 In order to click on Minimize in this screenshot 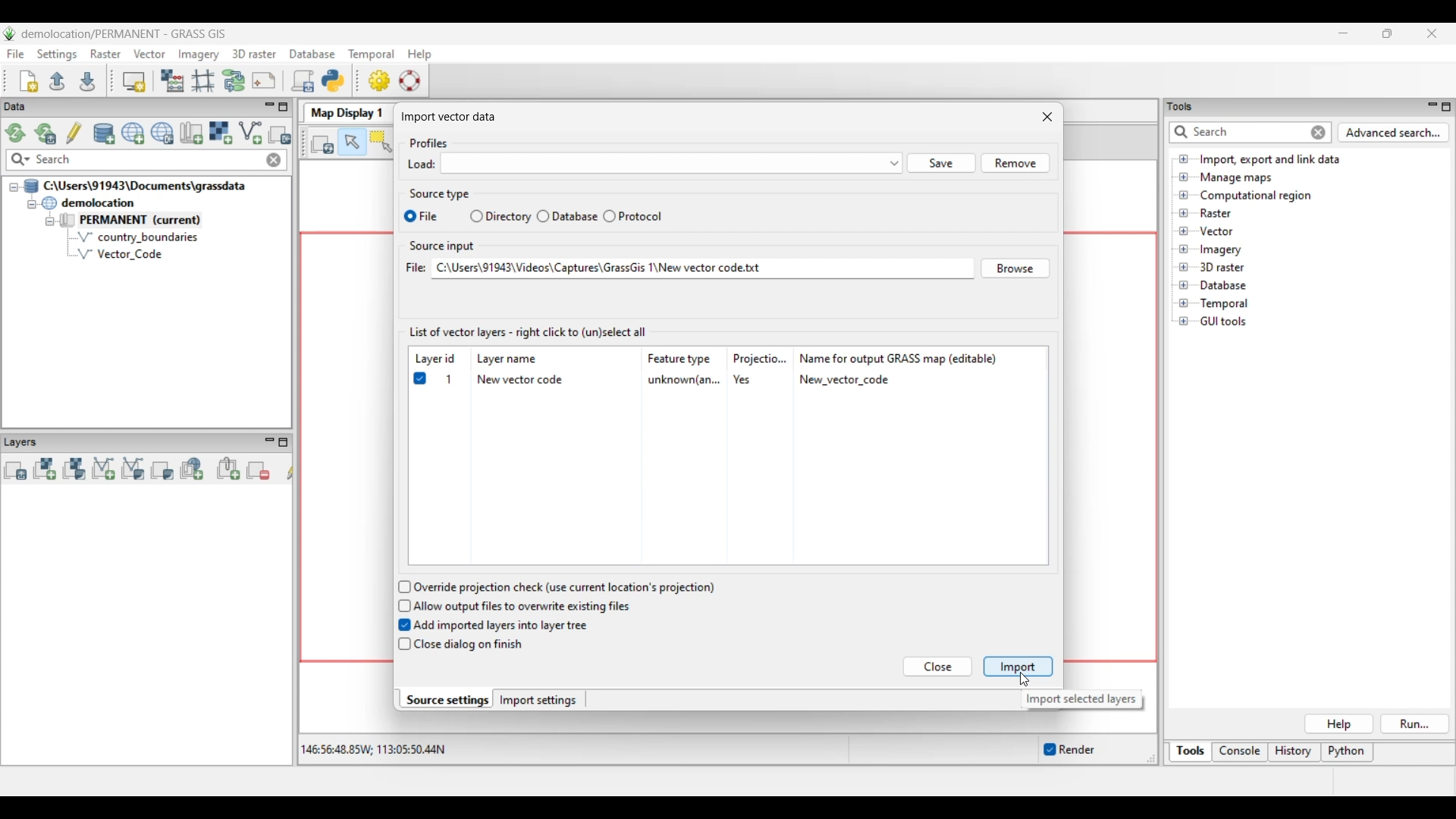, I will do `click(1343, 33)`.